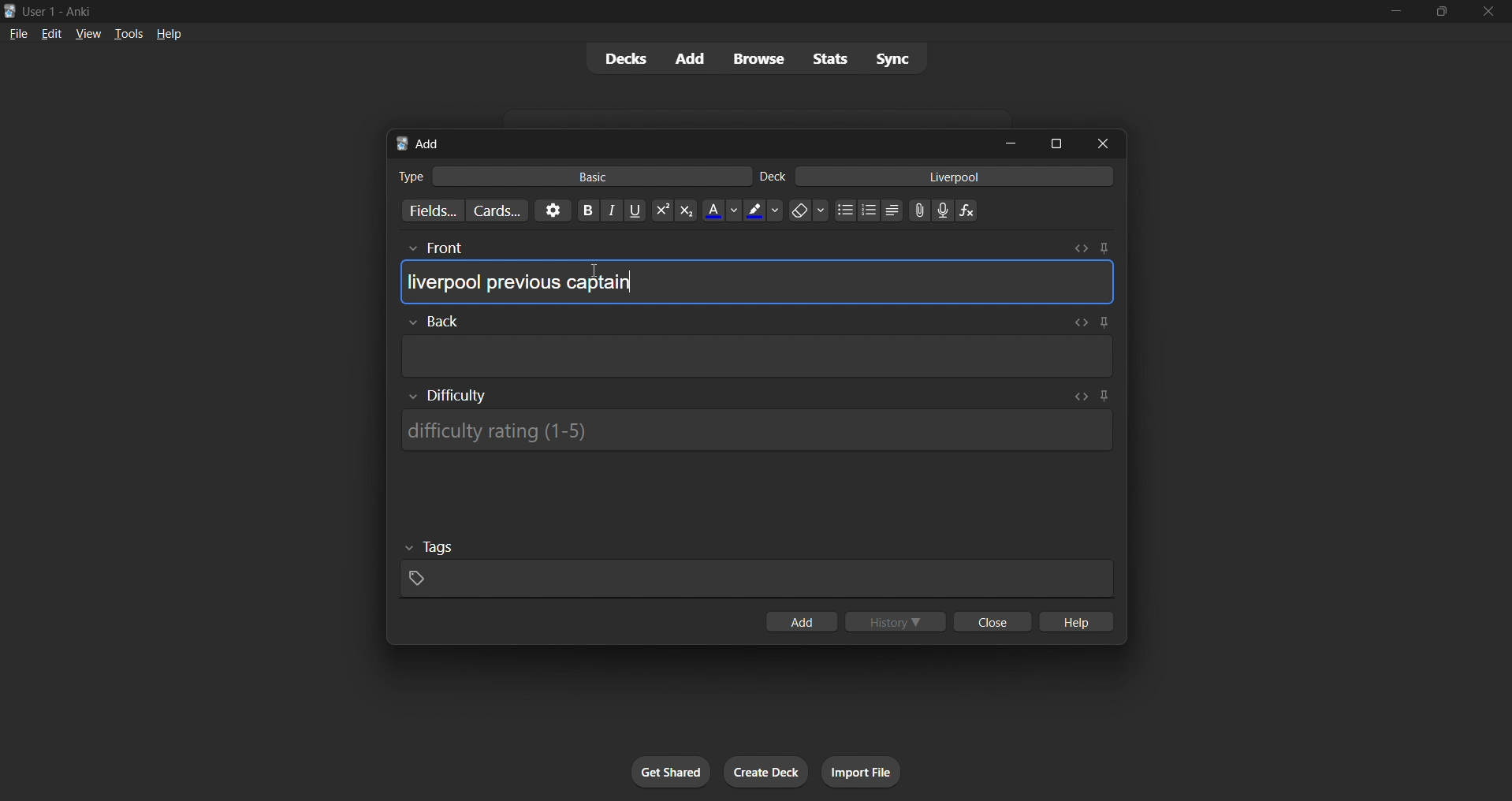  I want to click on multilevel list, so click(893, 212).